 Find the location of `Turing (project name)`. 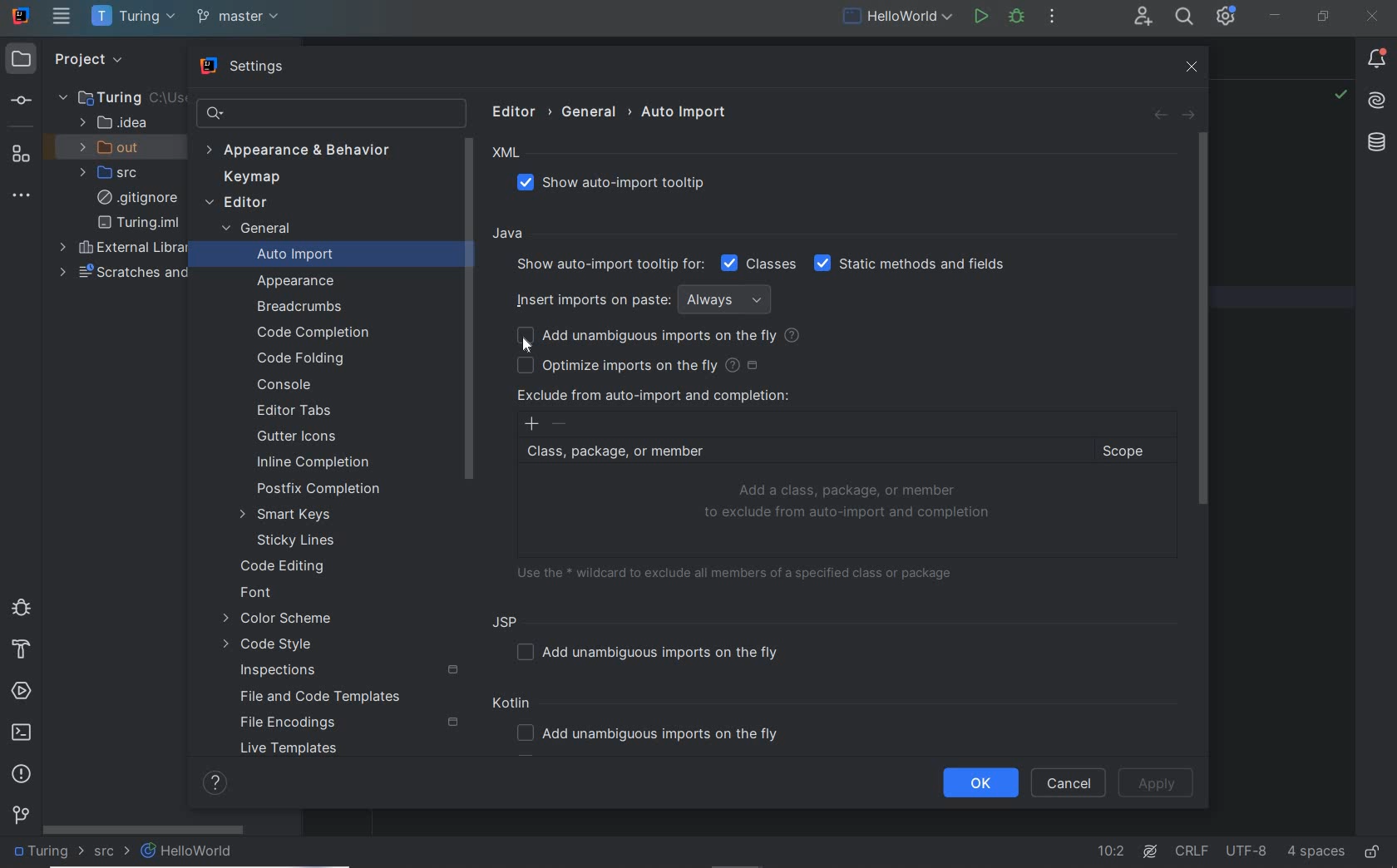

Turing (project name) is located at coordinates (48, 854).